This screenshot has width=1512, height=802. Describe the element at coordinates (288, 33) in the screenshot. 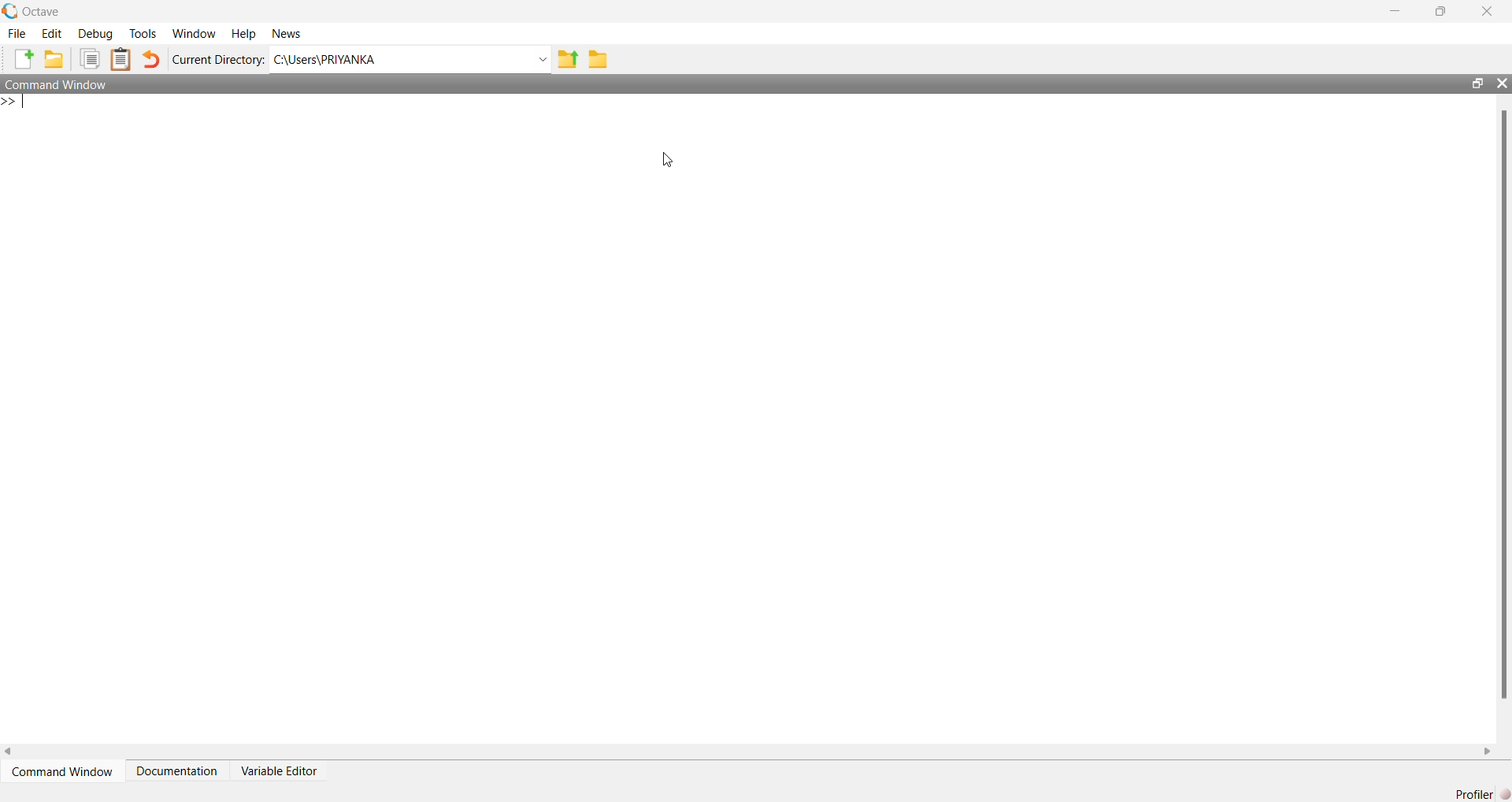

I see `News` at that location.